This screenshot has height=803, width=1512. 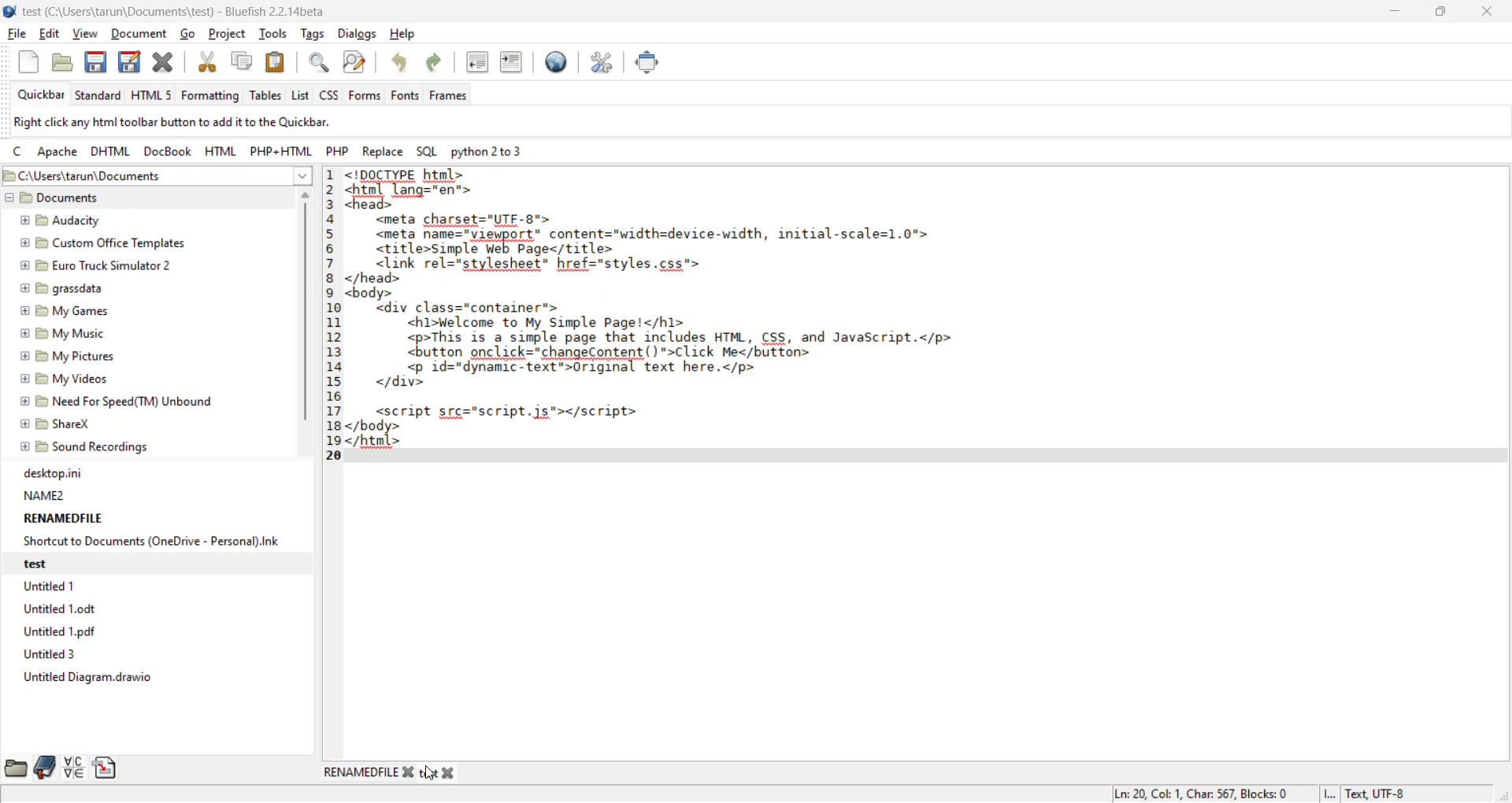 I want to click on copy, so click(x=239, y=63).